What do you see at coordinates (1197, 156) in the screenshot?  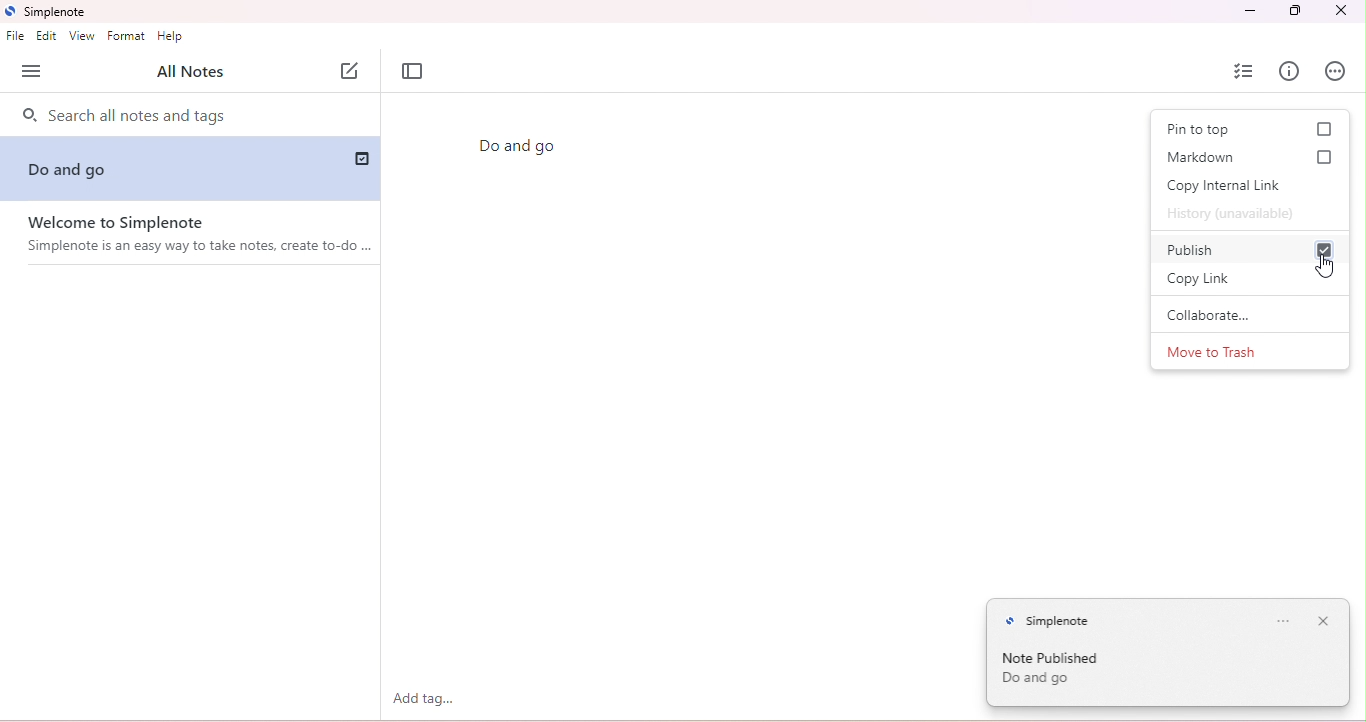 I see `markdown` at bounding box center [1197, 156].